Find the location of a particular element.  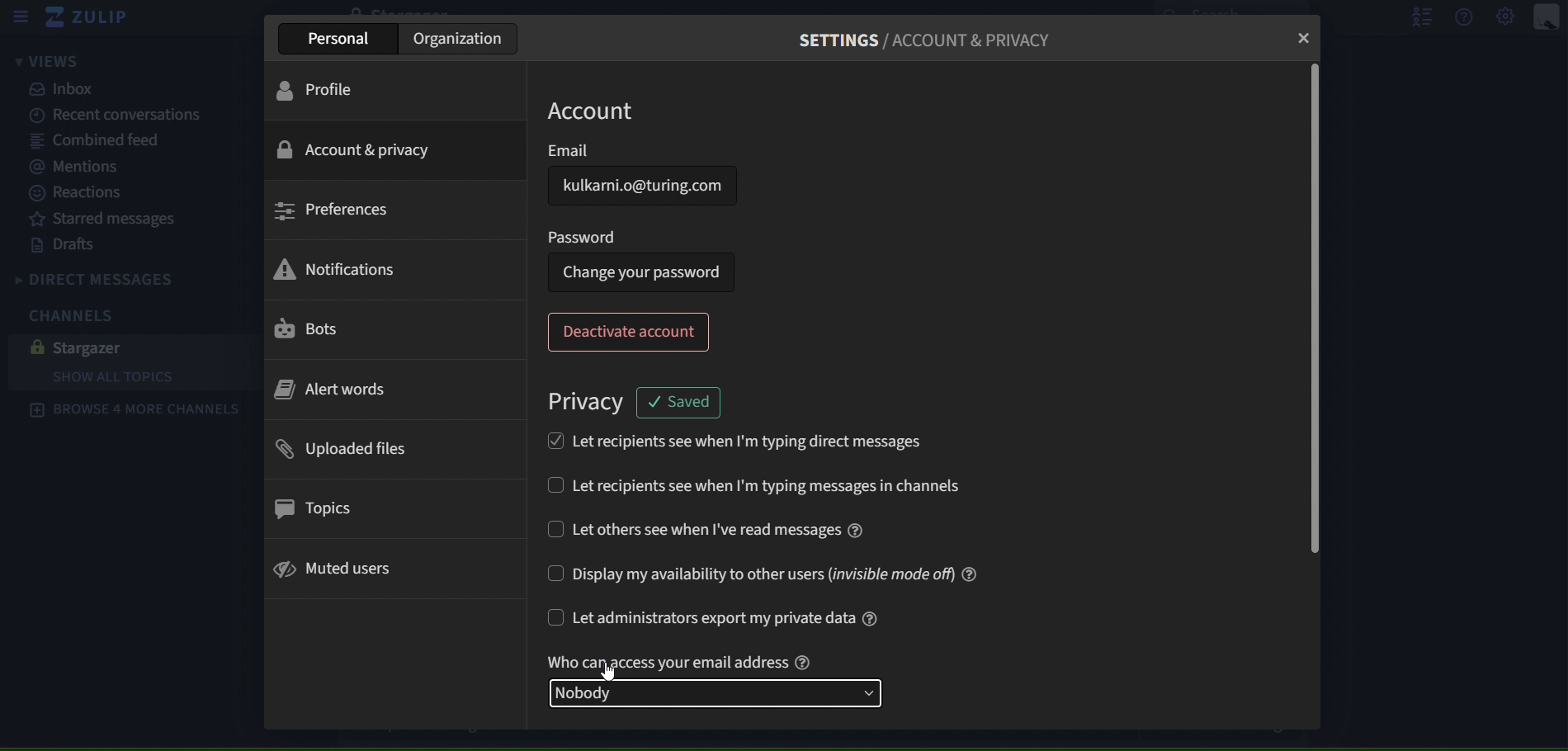

saved is located at coordinates (684, 401).